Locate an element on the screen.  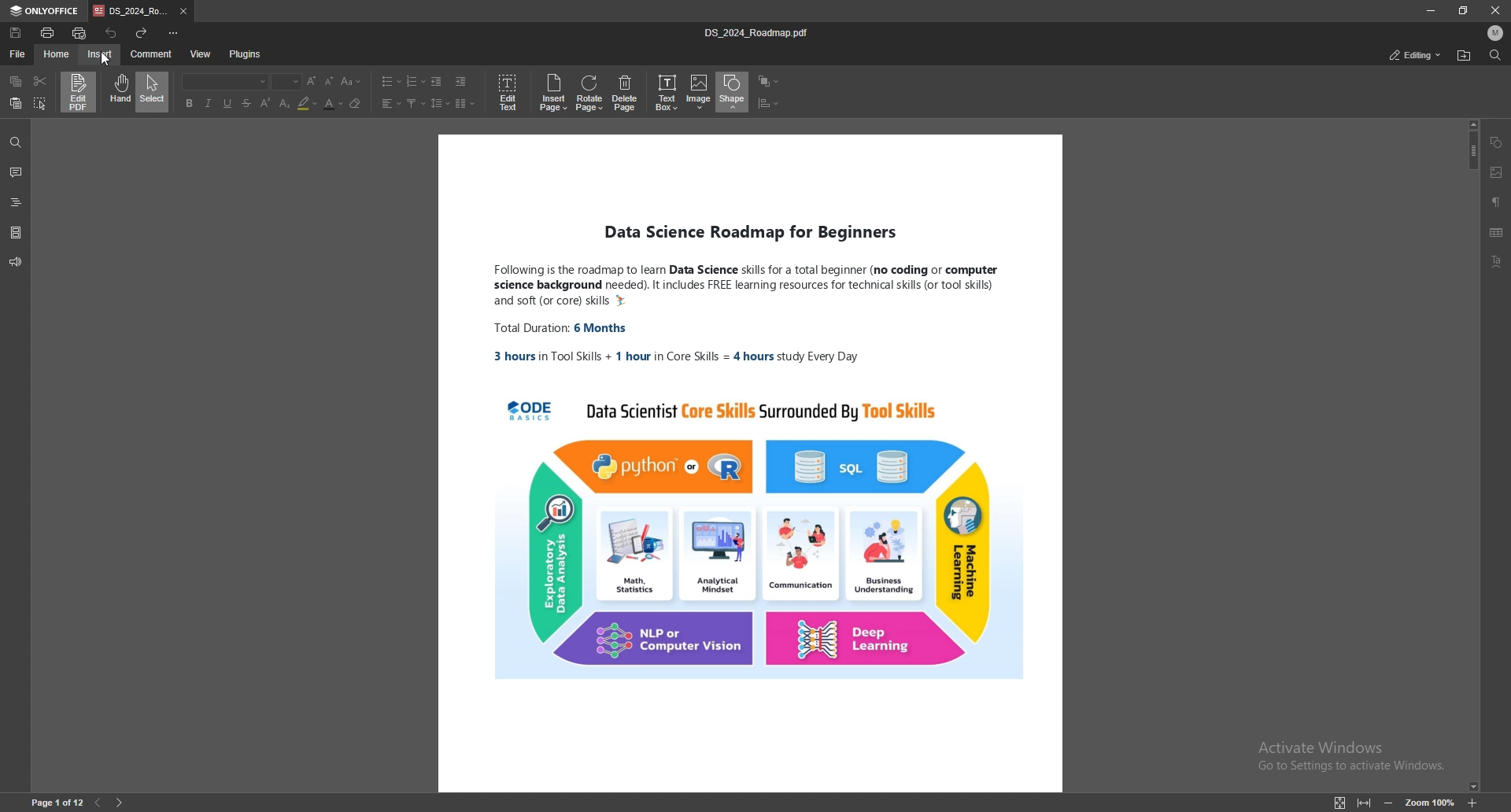
find is located at coordinates (15, 142).